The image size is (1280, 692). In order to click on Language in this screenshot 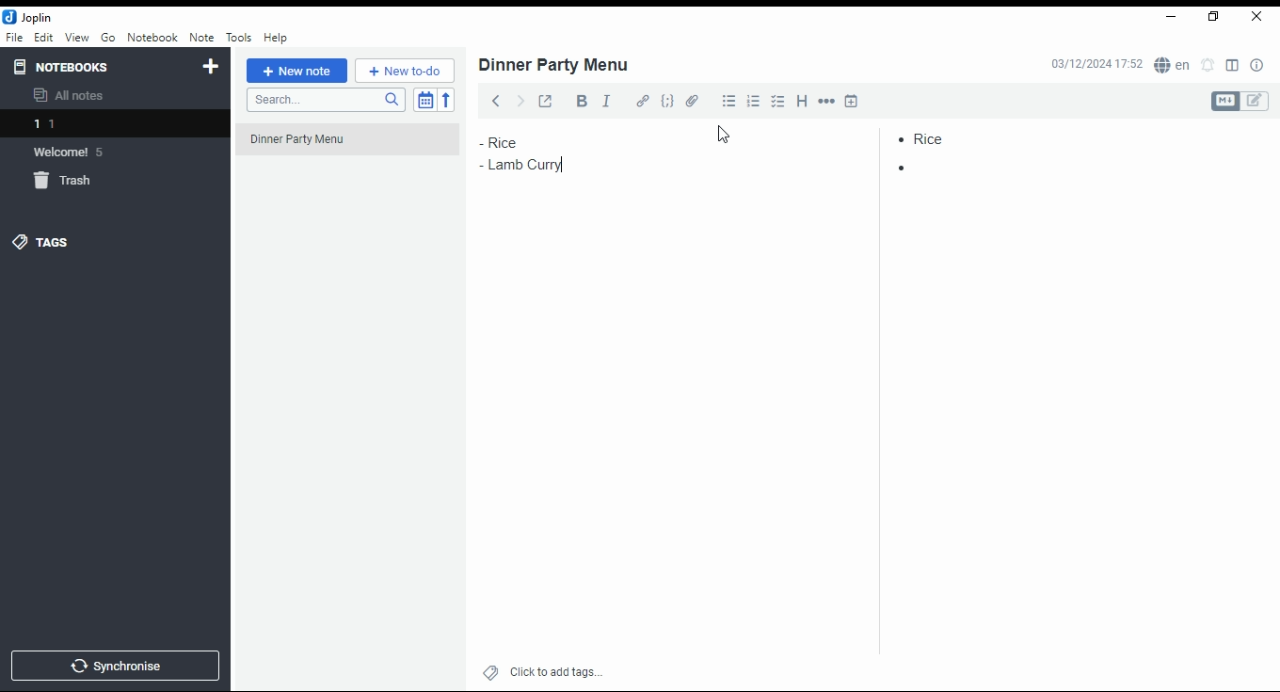, I will do `click(1171, 65)`.